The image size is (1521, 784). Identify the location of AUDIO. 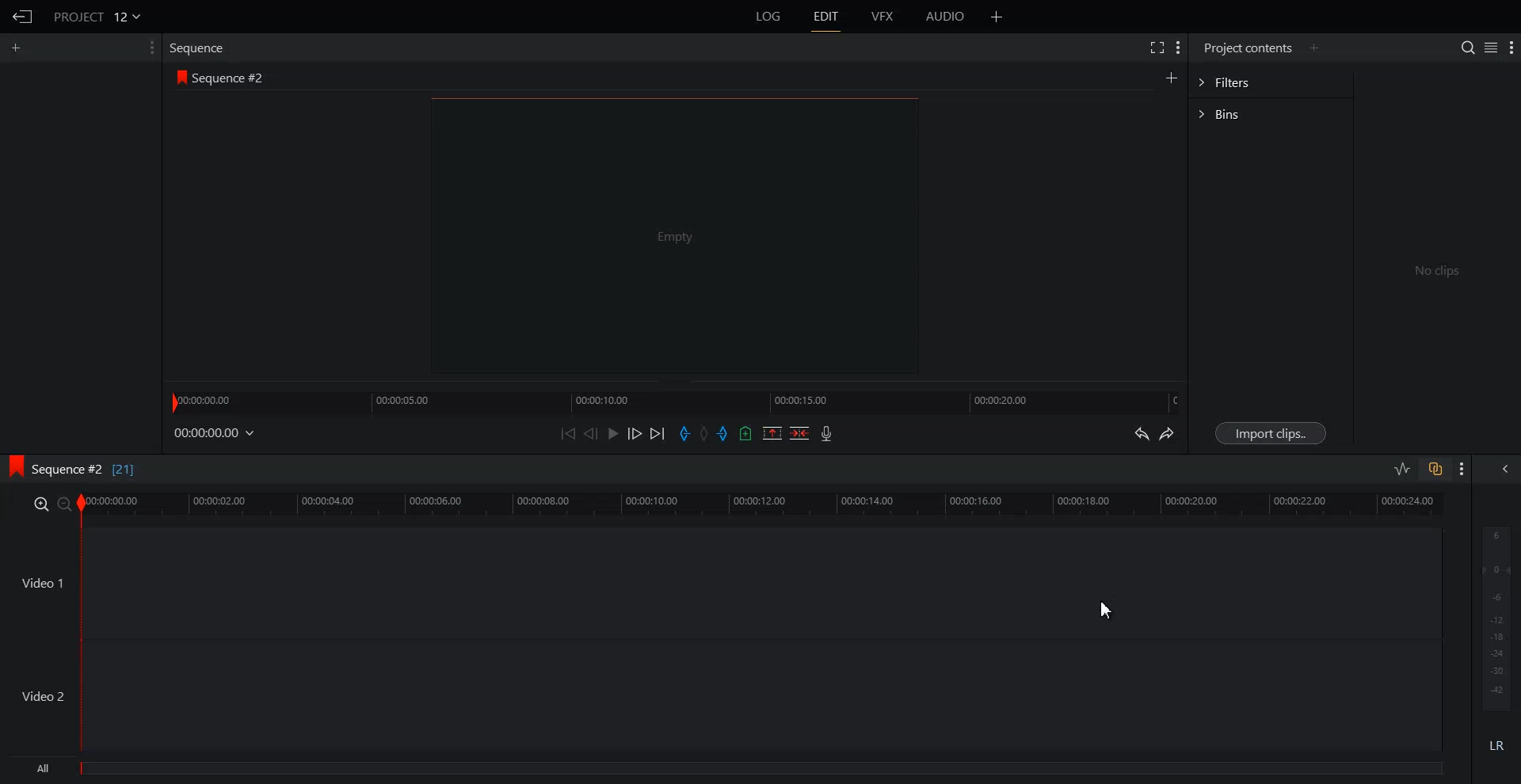
(946, 17).